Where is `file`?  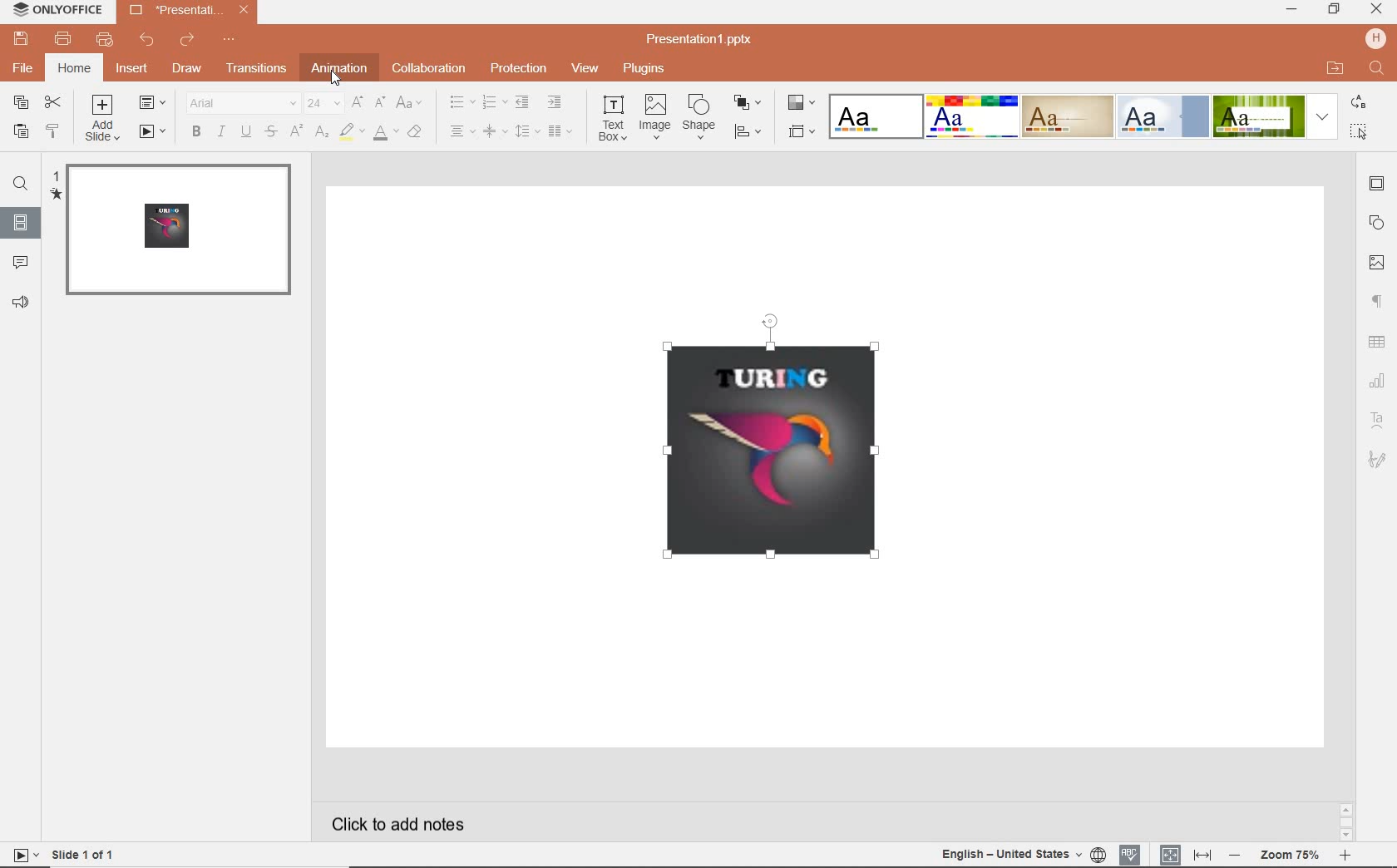 file is located at coordinates (25, 71).